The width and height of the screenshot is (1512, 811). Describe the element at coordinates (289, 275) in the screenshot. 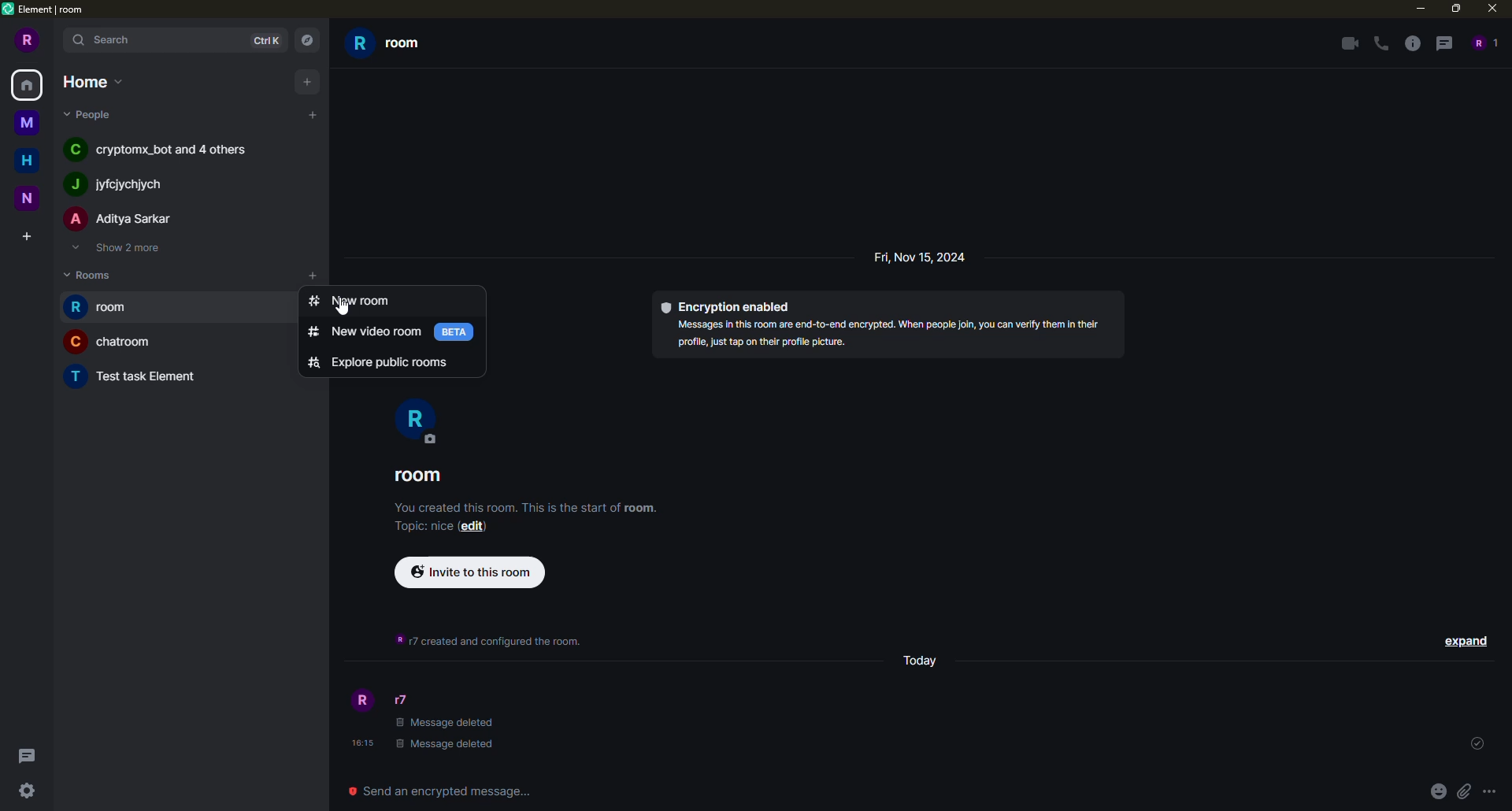

I see `more` at that location.